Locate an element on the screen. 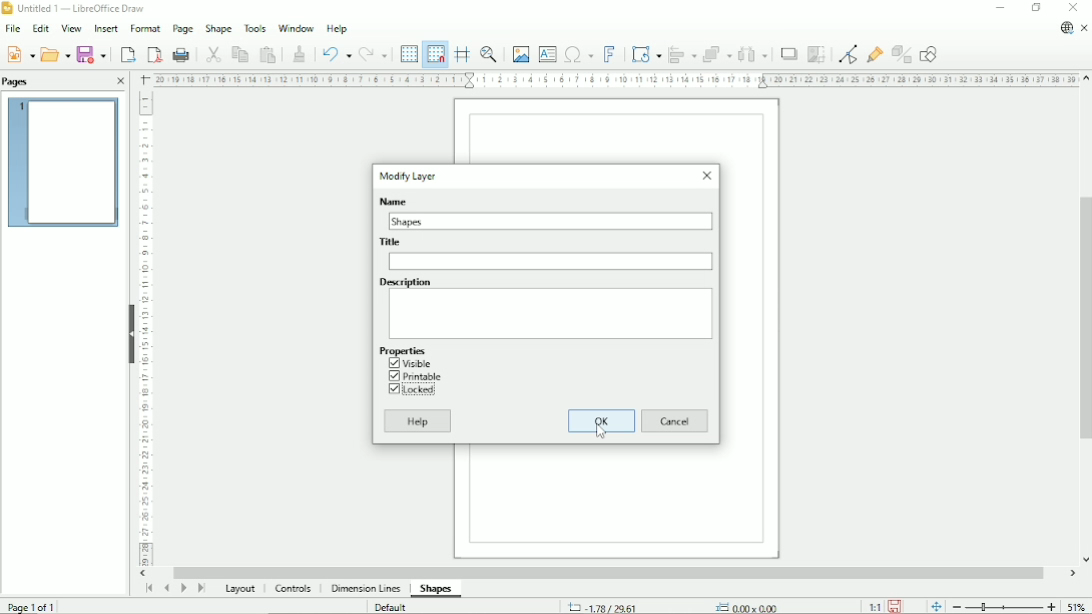 Image resolution: width=1092 pixels, height=614 pixels. Update available is located at coordinates (1064, 29).